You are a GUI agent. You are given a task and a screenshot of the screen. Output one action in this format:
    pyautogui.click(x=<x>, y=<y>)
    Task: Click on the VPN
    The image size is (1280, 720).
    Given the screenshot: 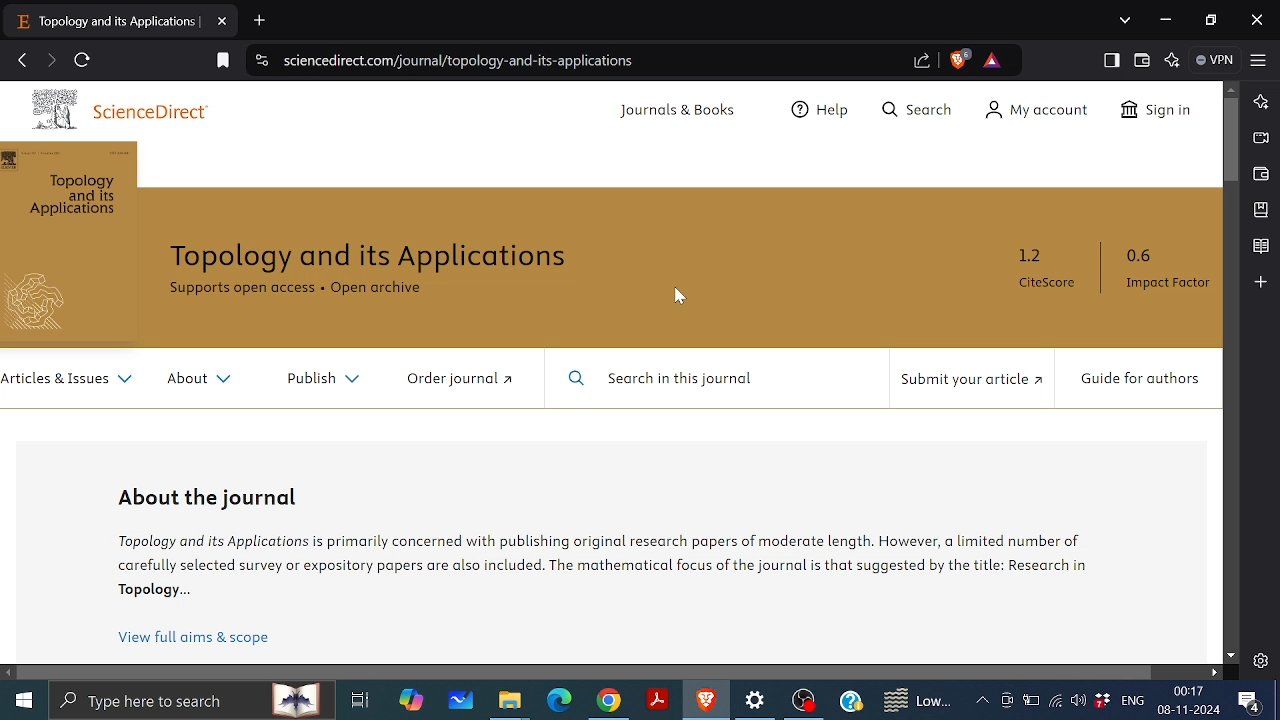 What is the action you would take?
    pyautogui.click(x=1215, y=61)
    